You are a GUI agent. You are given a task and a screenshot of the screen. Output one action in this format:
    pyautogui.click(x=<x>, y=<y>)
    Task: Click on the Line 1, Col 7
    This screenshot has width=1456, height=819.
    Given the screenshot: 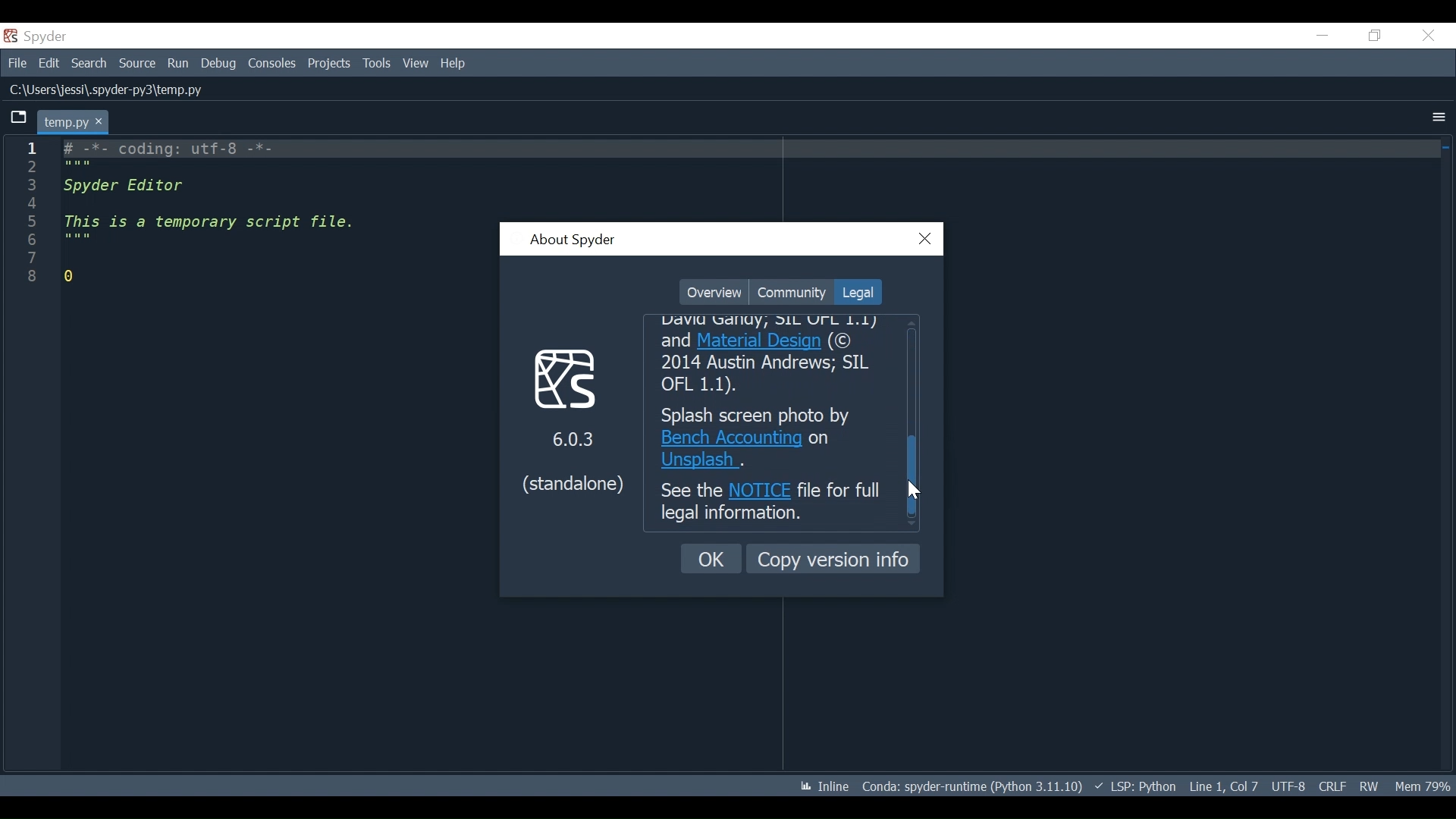 What is the action you would take?
    pyautogui.click(x=1223, y=784)
    